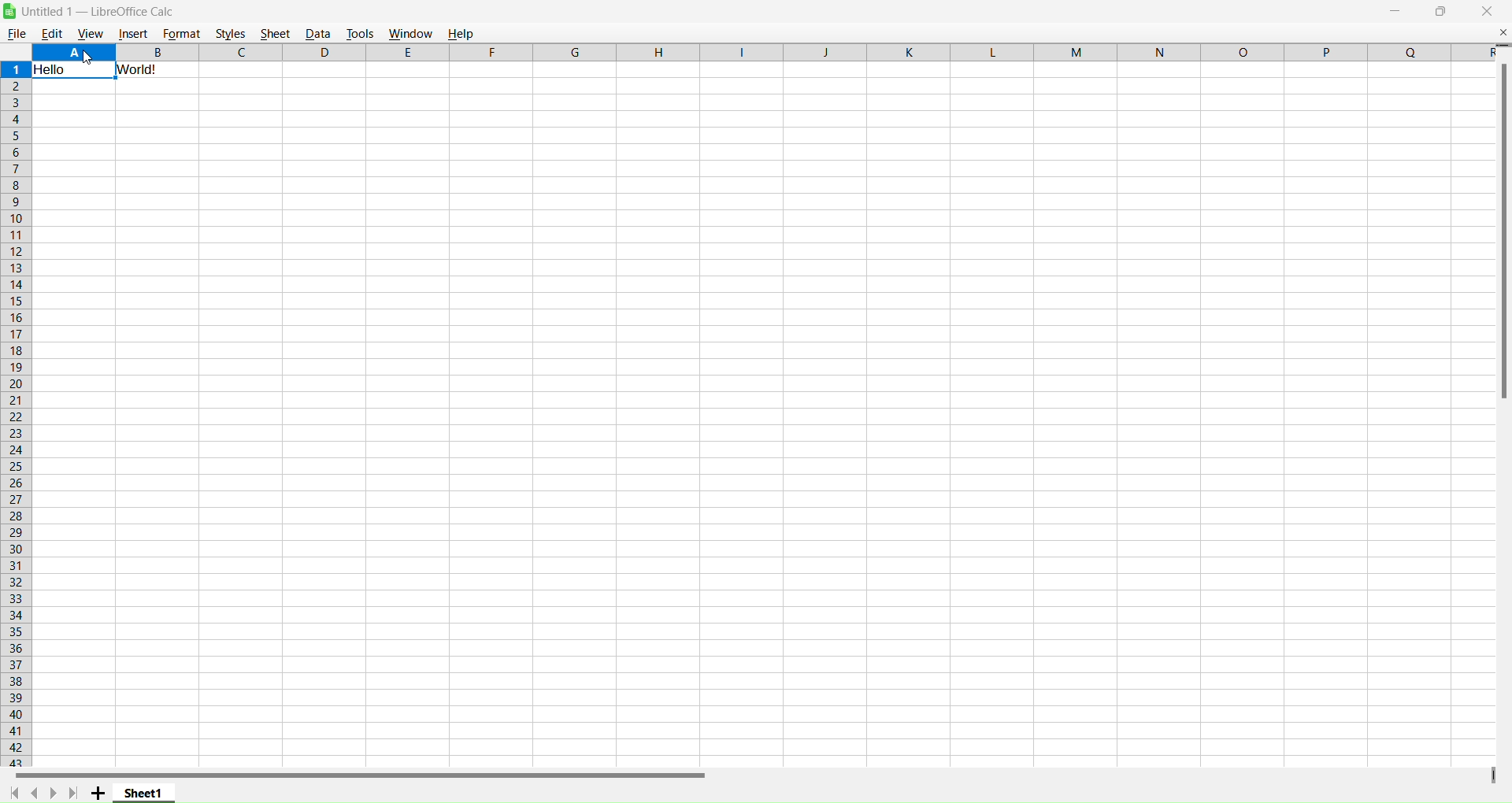 This screenshot has height=803, width=1512. Describe the element at coordinates (133, 35) in the screenshot. I see `Insert` at that location.